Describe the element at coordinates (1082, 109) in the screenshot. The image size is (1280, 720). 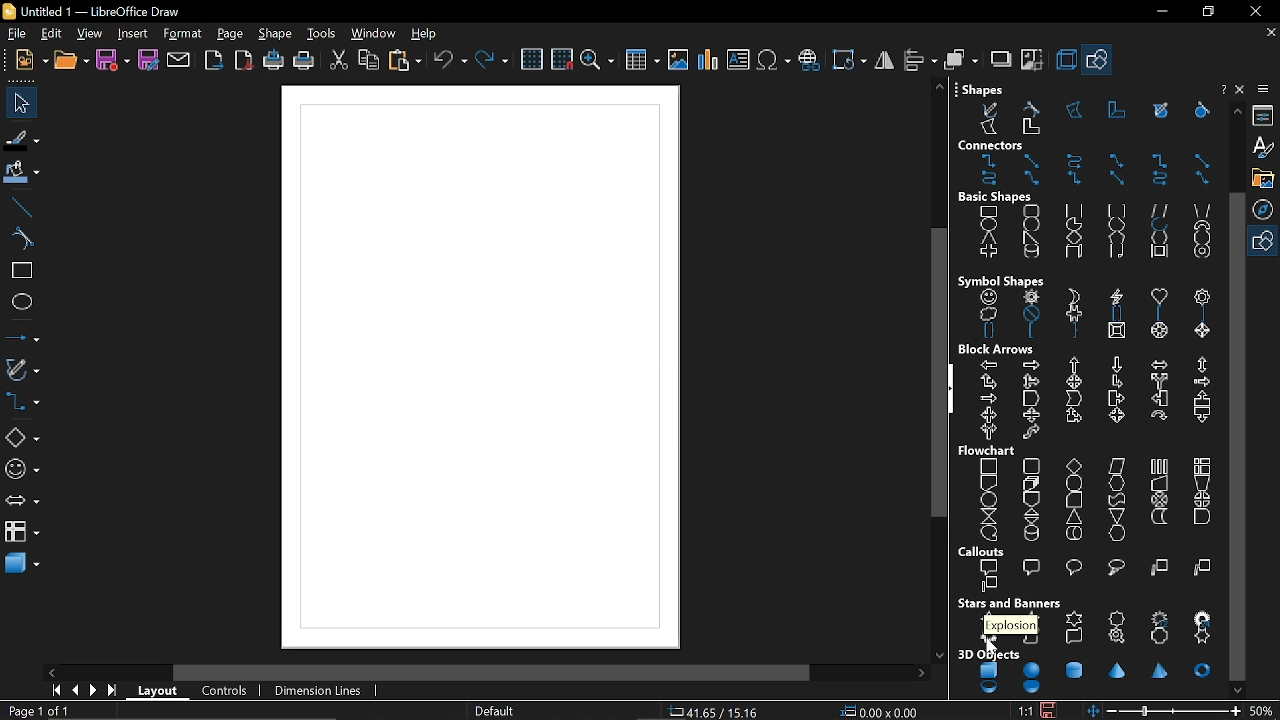
I see `Shapes` at that location.